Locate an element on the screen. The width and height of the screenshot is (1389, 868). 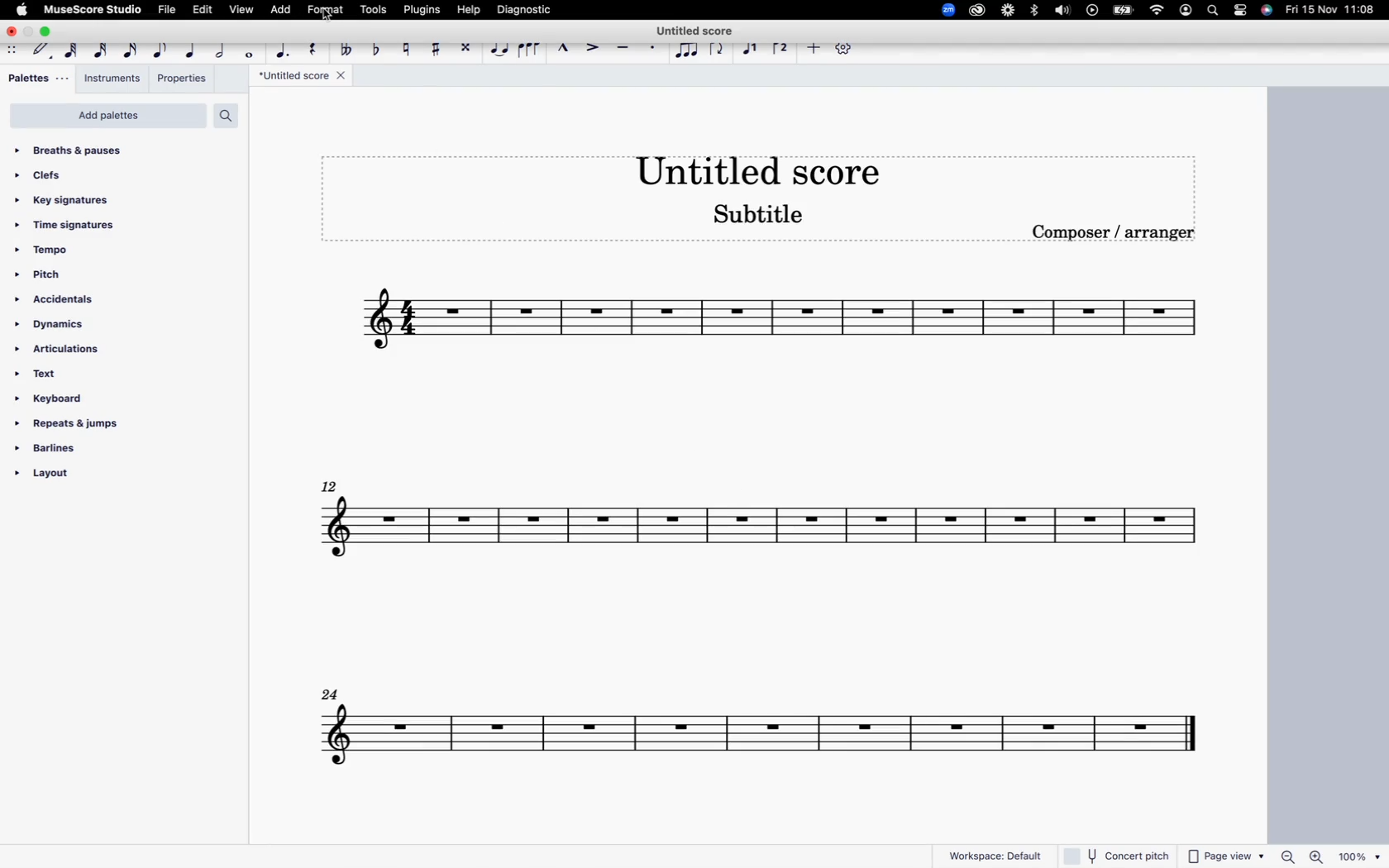
tie is located at coordinates (500, 51).